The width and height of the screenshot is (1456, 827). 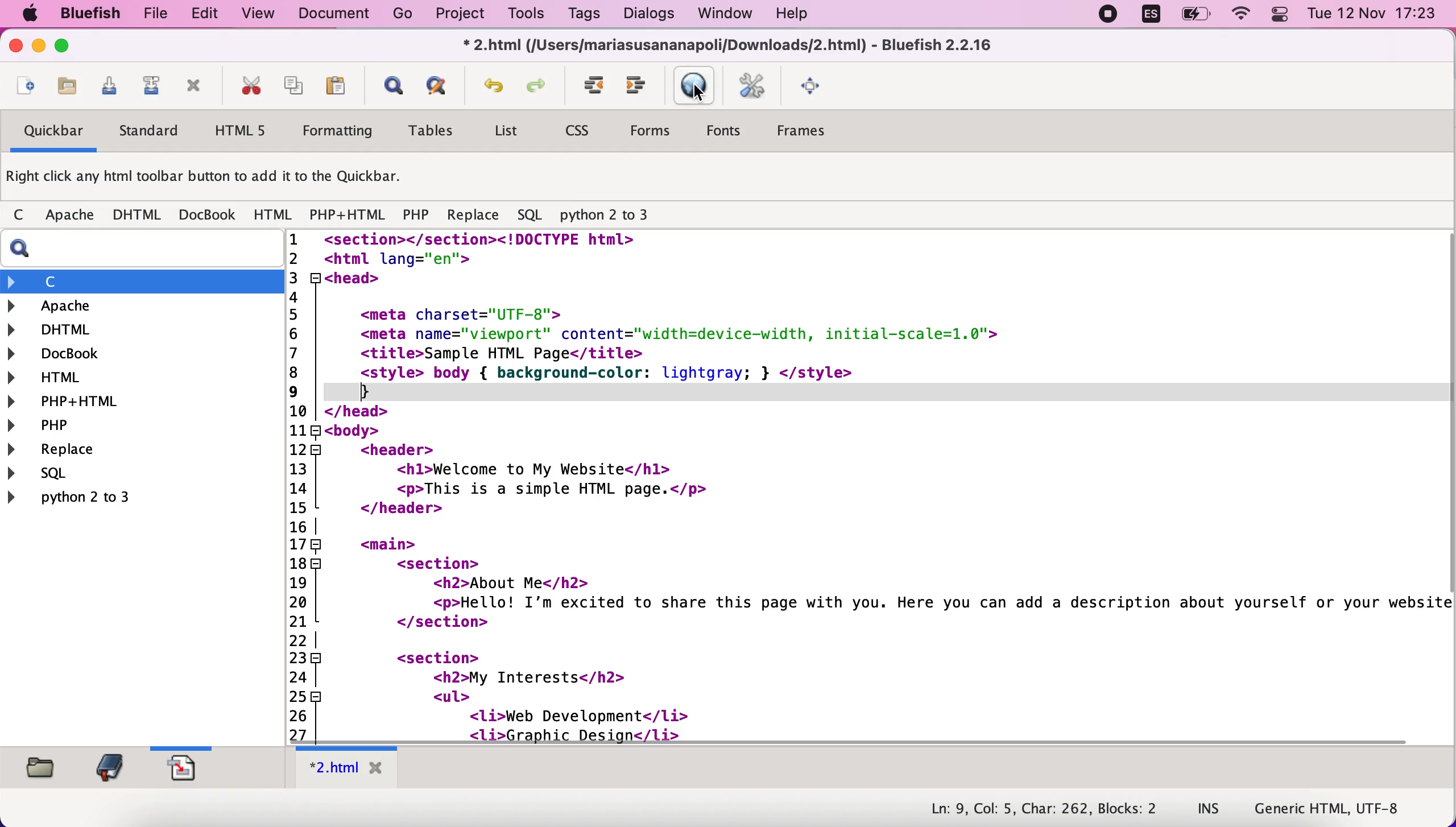 I want to click on paste, so click(x=340, y=86).